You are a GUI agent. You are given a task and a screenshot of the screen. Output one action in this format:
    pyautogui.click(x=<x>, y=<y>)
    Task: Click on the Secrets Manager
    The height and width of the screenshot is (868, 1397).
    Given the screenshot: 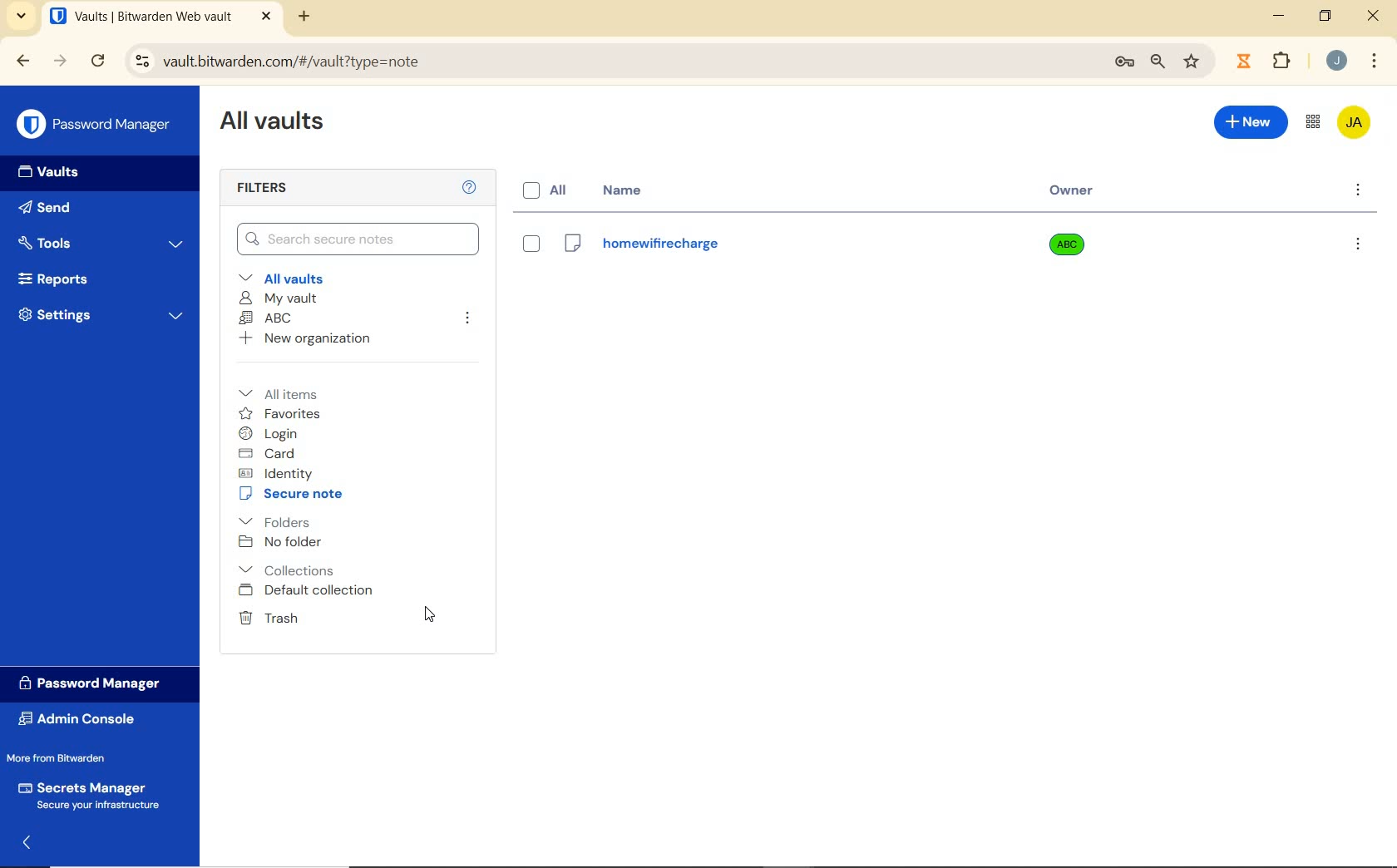 What is the action you would take?
    pyautogui.click(x=93, y=795)
    